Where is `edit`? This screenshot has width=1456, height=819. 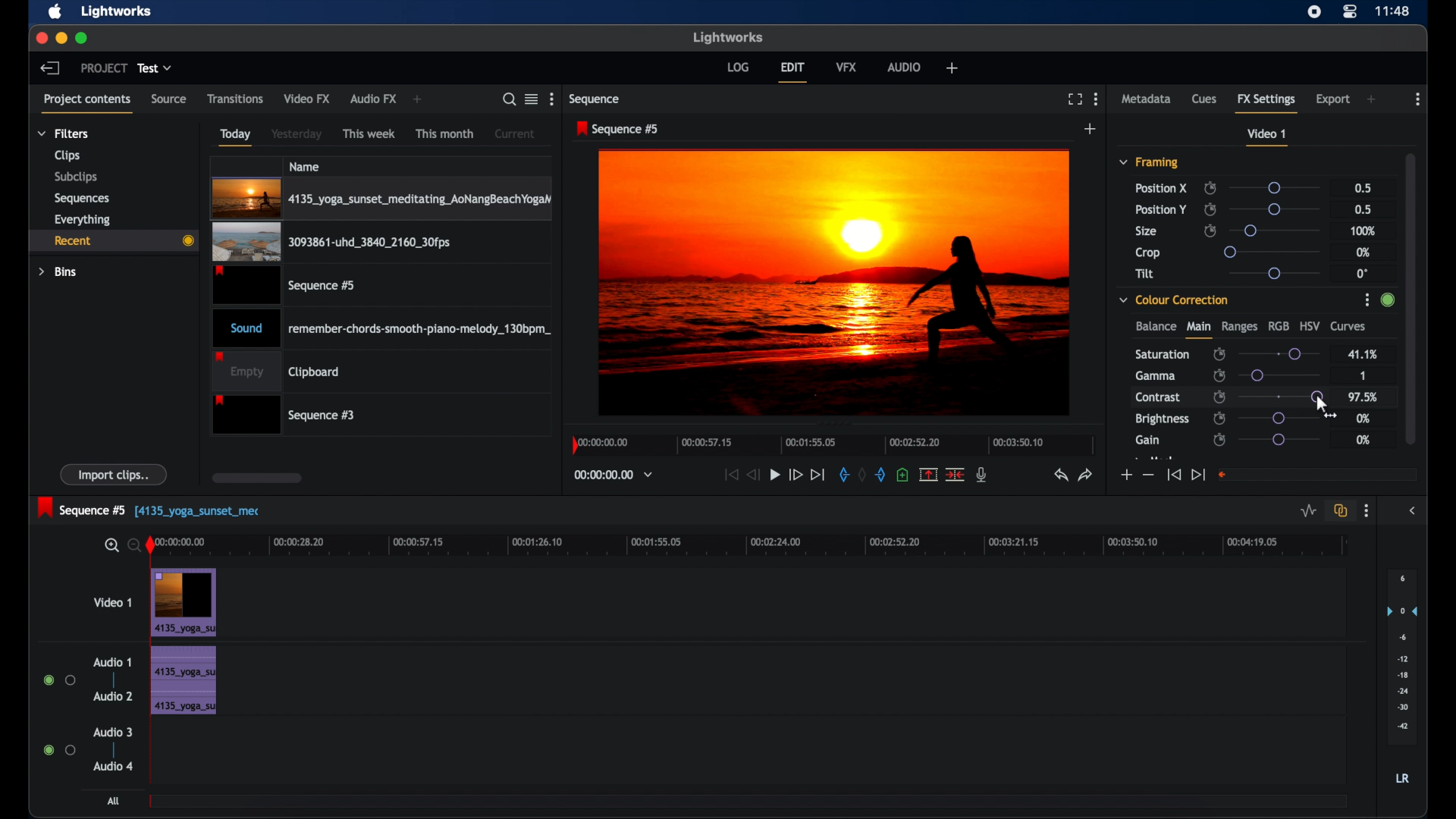 edit is located at coordinates (792, 72).